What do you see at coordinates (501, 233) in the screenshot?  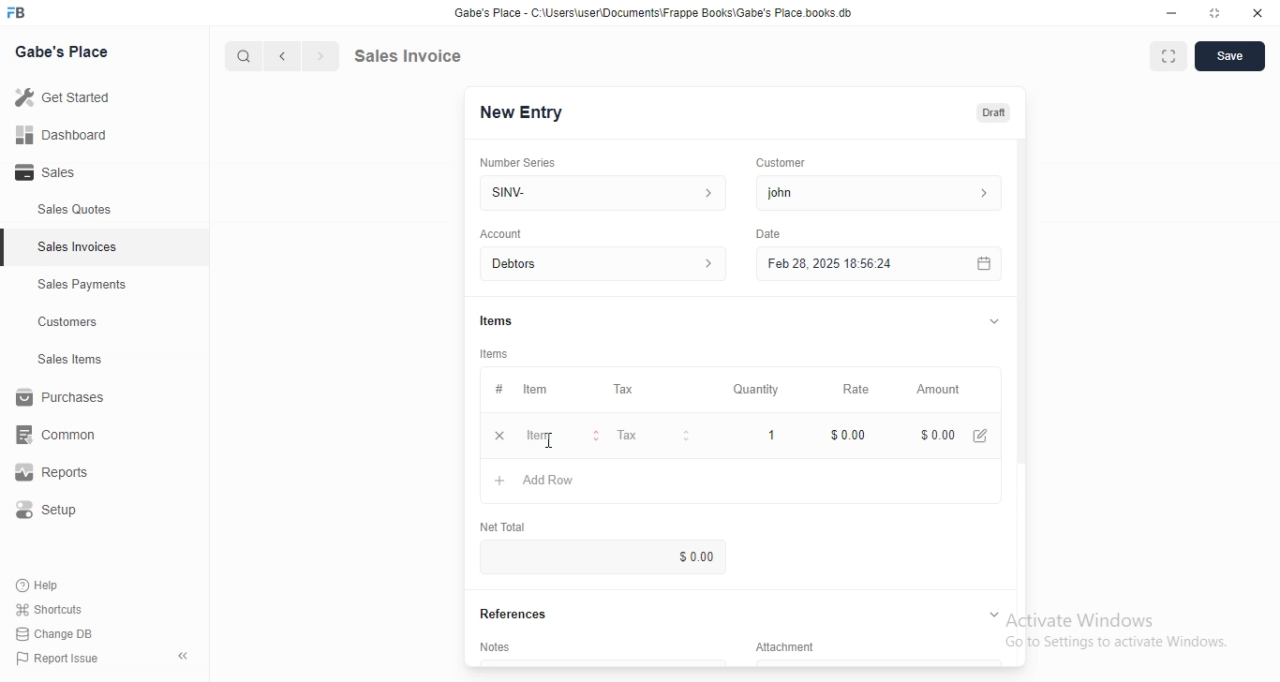 I see `‘Account` at bounding box center [501, 233].